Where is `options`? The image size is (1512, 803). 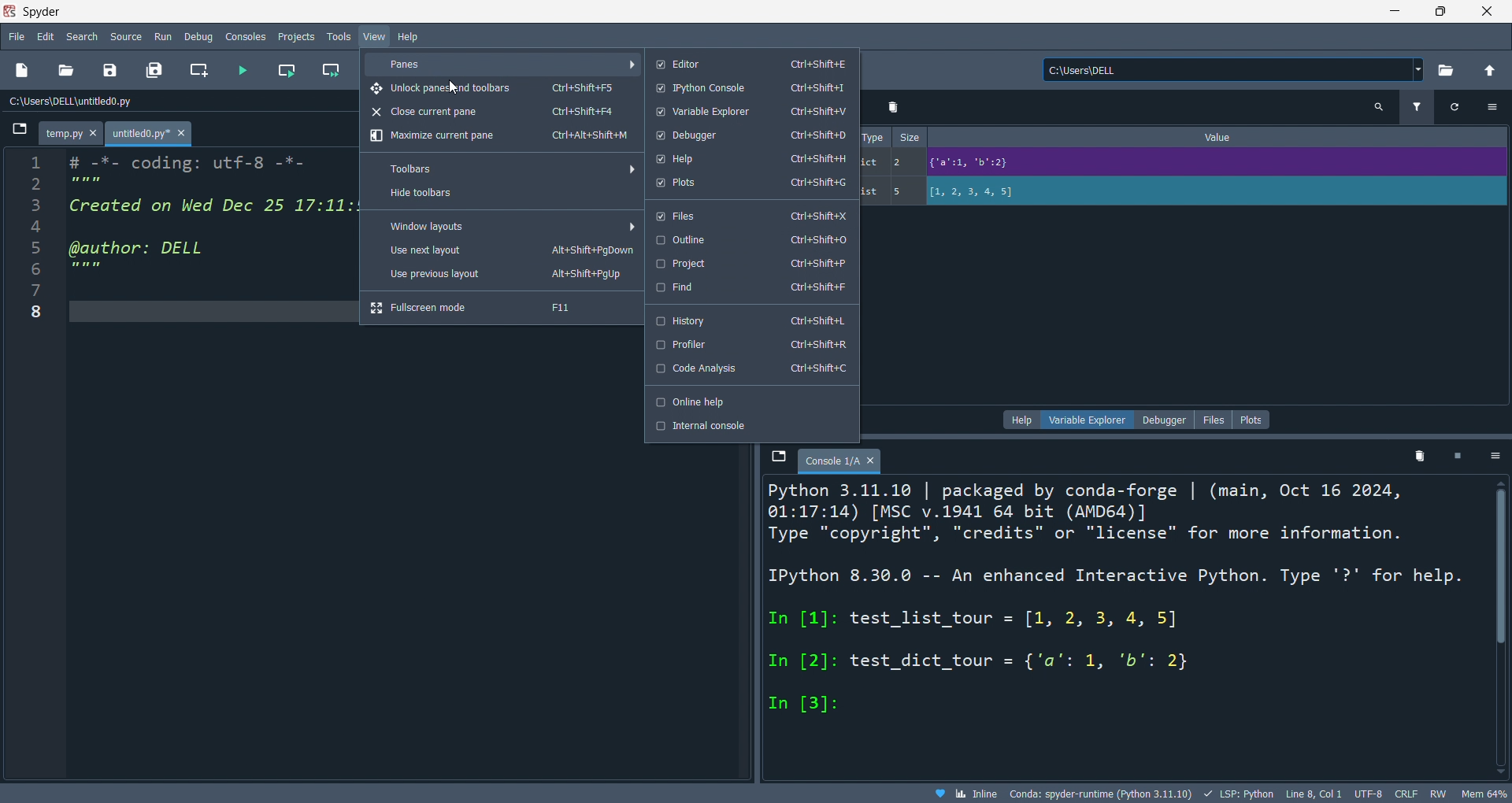 options is located at coordinates (1492, 106).